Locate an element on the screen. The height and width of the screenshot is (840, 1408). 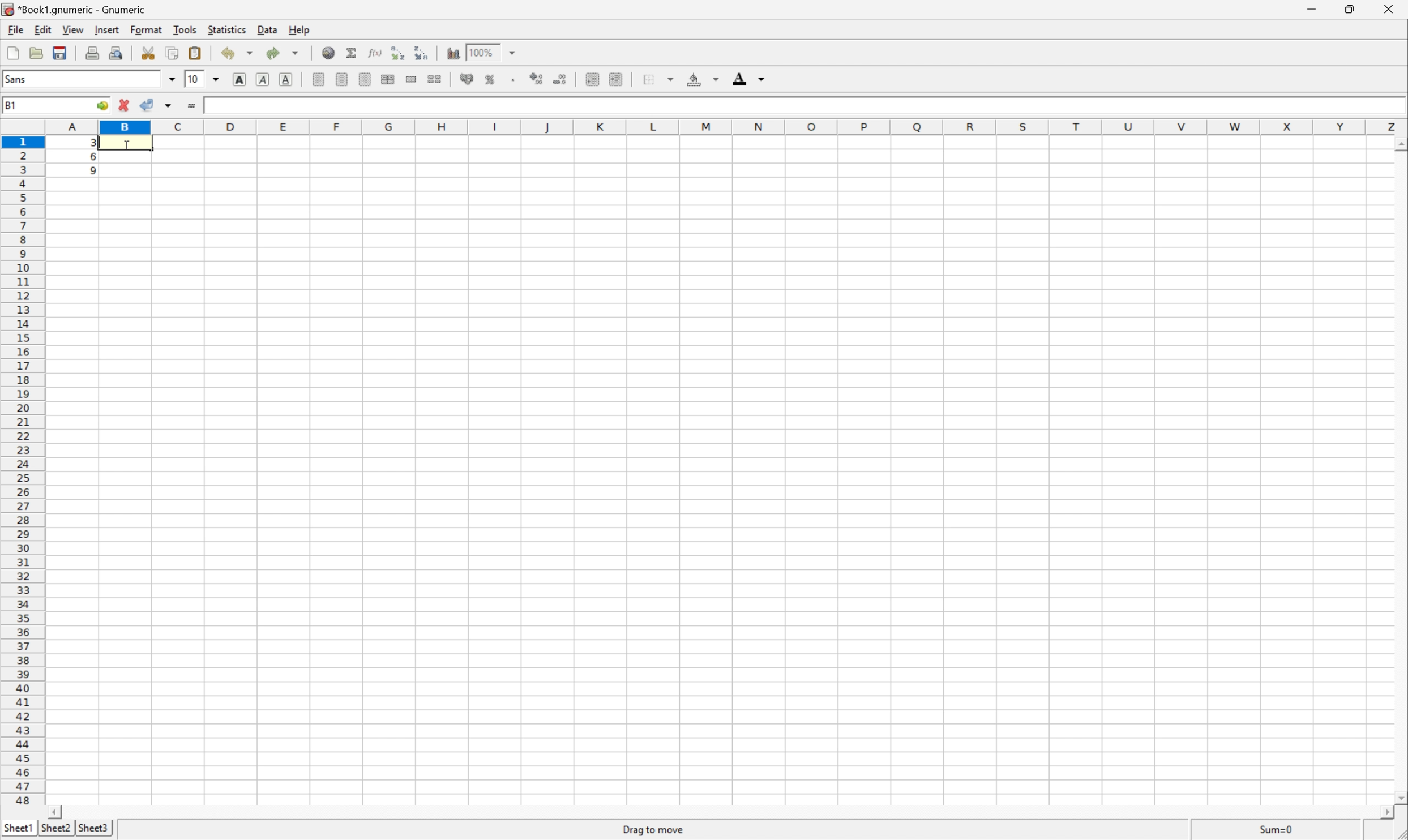
Go to is located at coordinates (102, 106).